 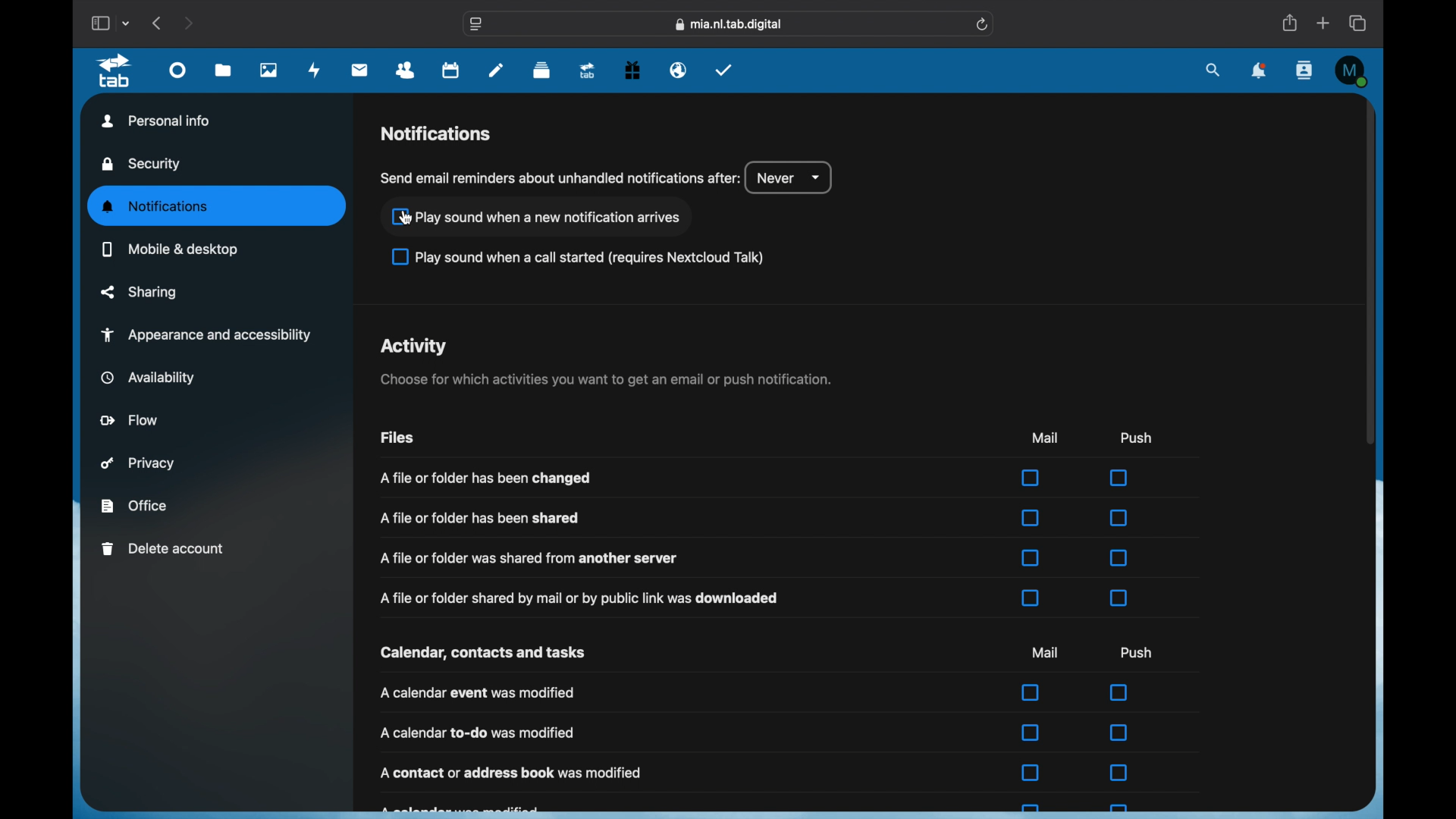 What do you see at coordinates (147, 378) in the screenshot?
I see `availability` at bounding box center [147, 378].